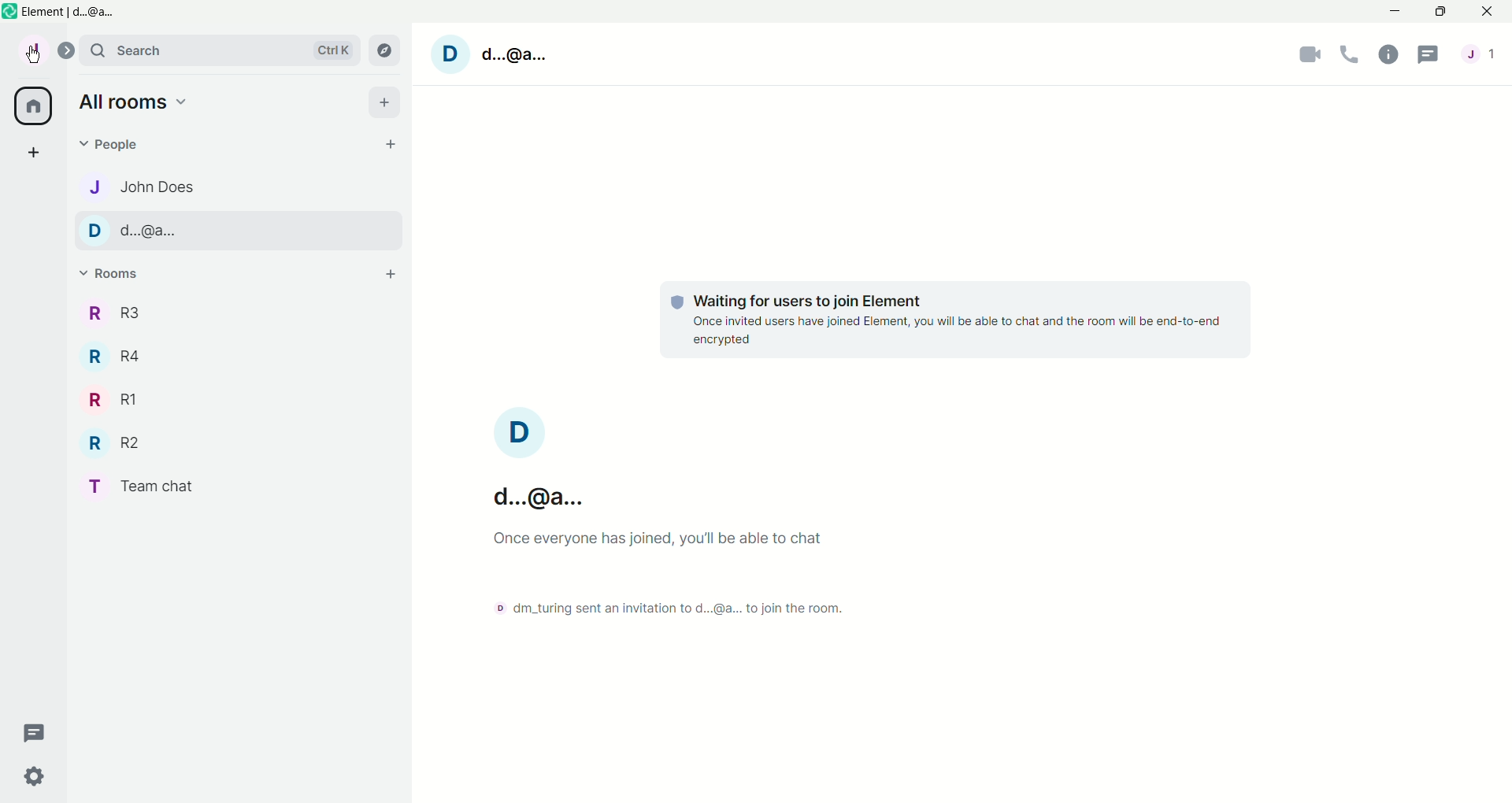 The image size is (1512, 803). I want to click on R3 - Room Name, so click(112, 314).